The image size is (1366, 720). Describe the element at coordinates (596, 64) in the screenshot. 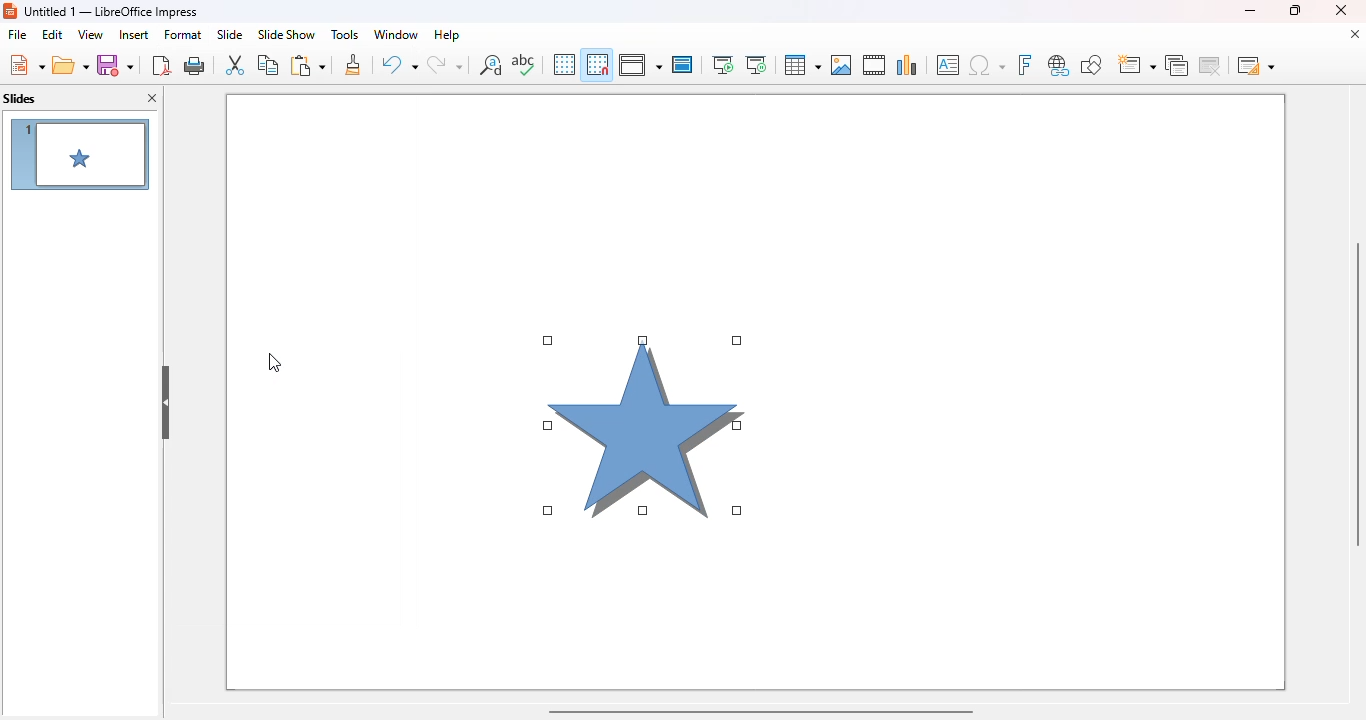

I see `snap to grid` at that location.